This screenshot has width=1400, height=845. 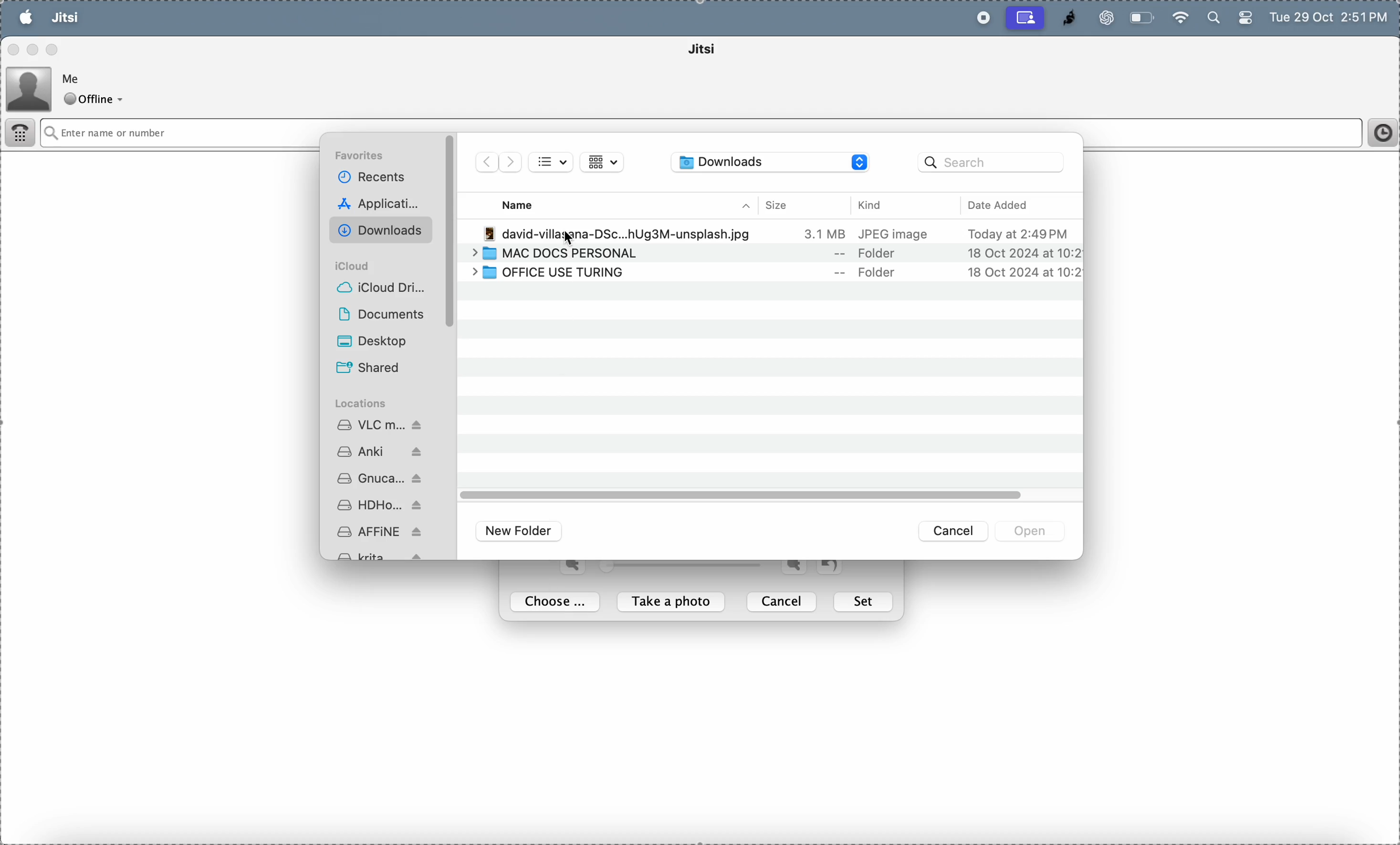 What do you see at coordinates (510, 162) in the screenshot?
I see `forward` at bounding box center [510, 162].